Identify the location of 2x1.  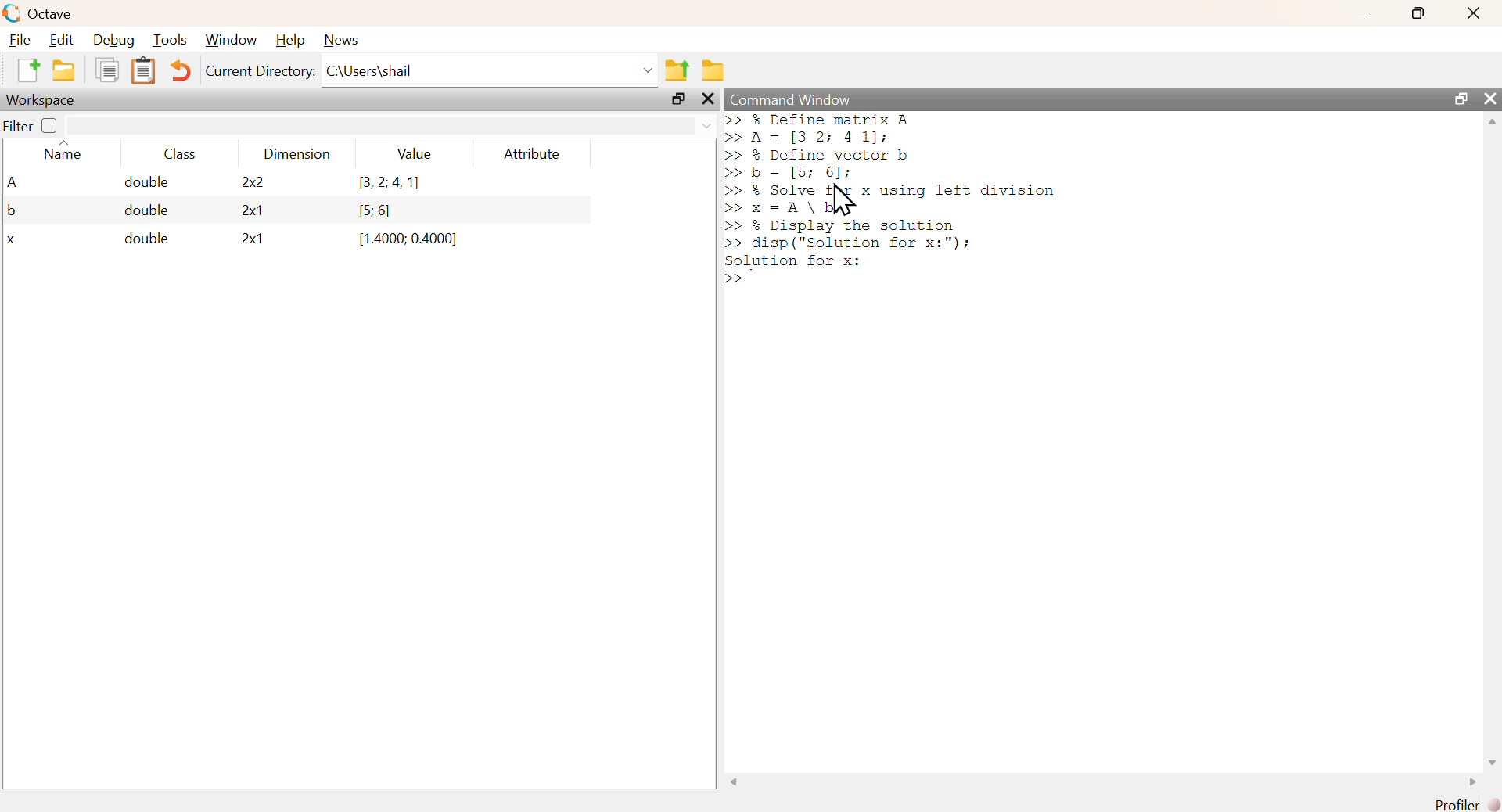
(243, 210).